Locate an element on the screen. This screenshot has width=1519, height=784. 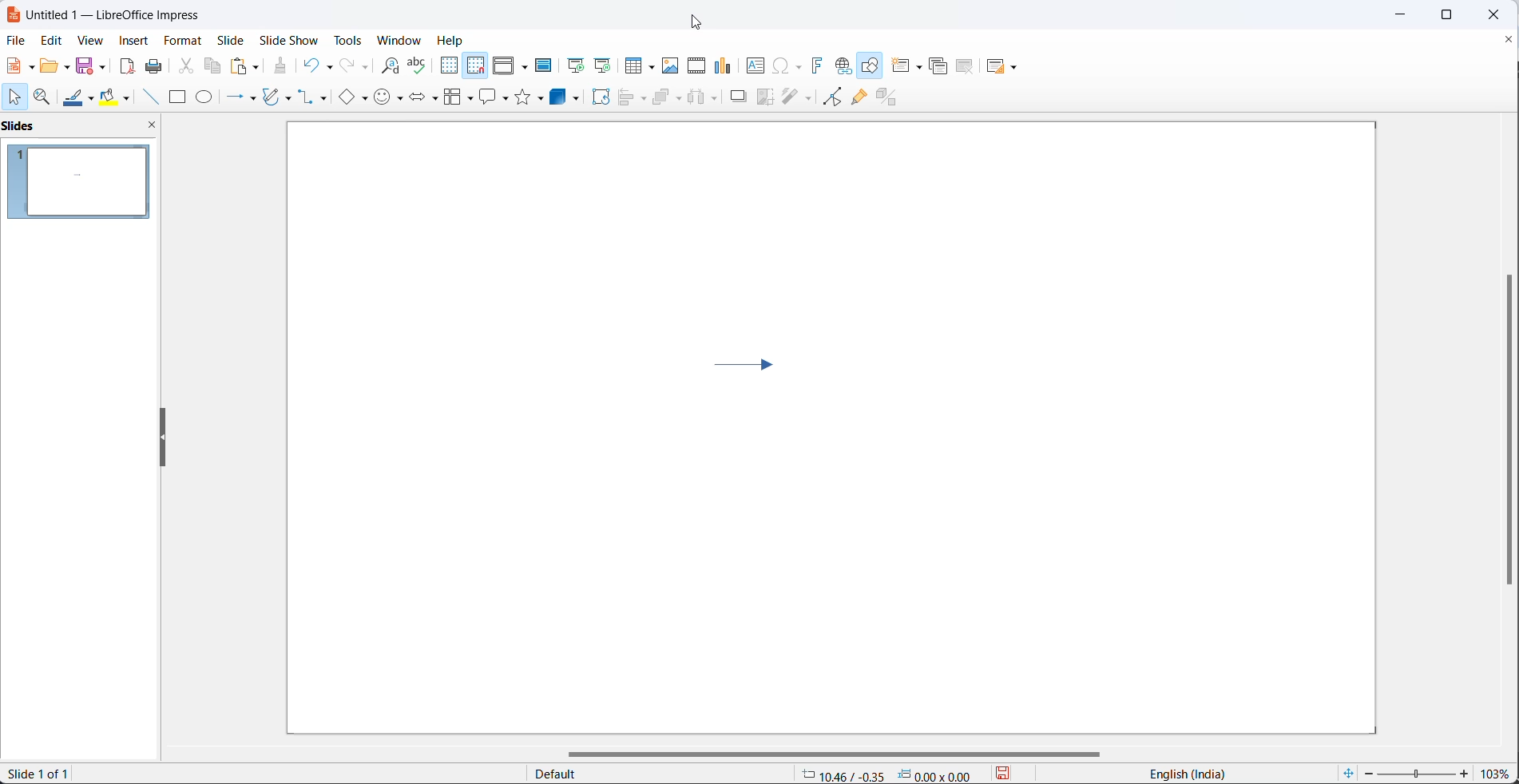
maximize is located at coordinates (1457, 14).